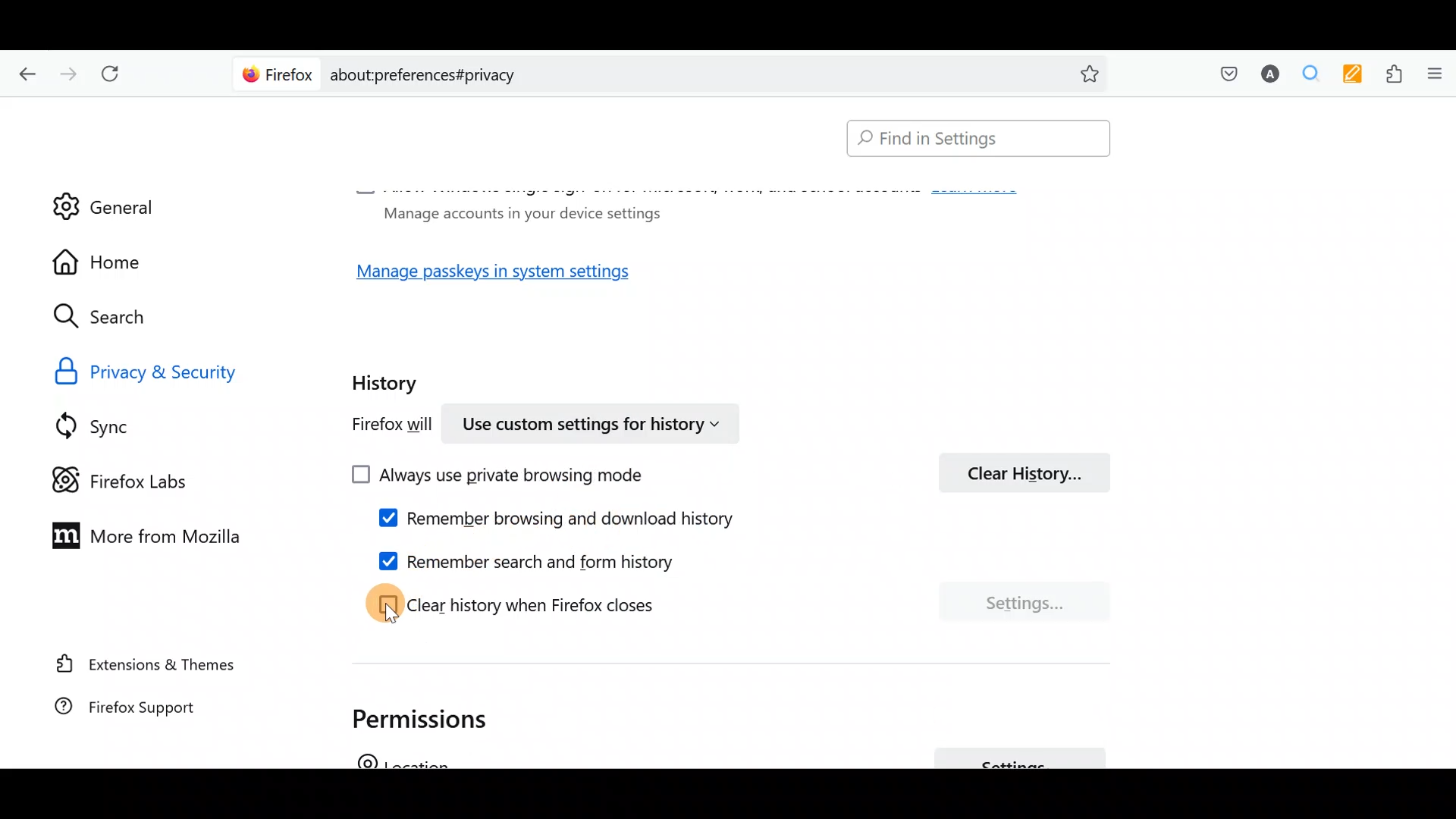 The width and height of the screenshot is (1456, 819). I want to click on Search bar, so click(971, 140).